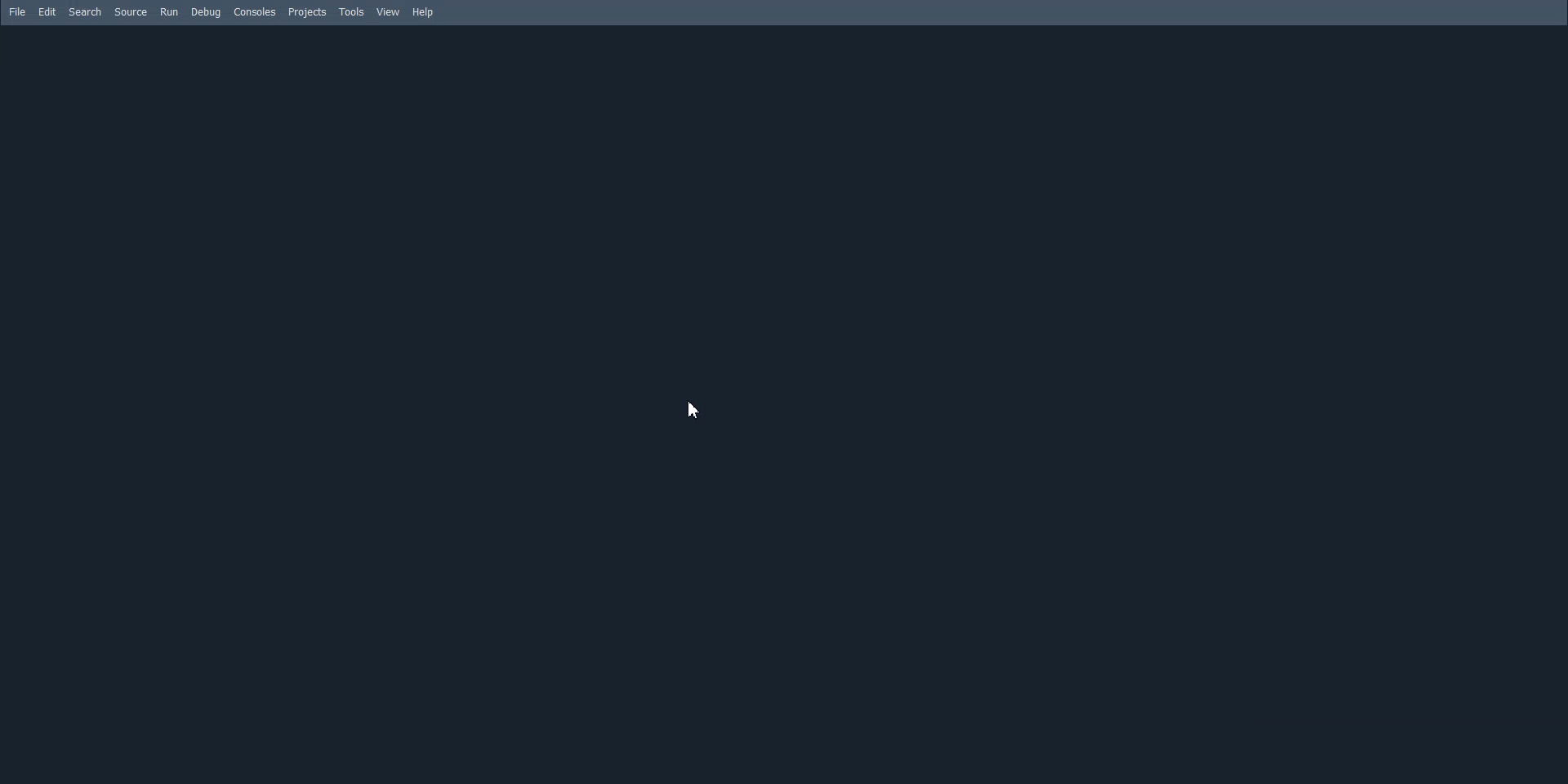 The height and width of the screenshot is (784, 1568). I want to click on Source, so click(131, 11).